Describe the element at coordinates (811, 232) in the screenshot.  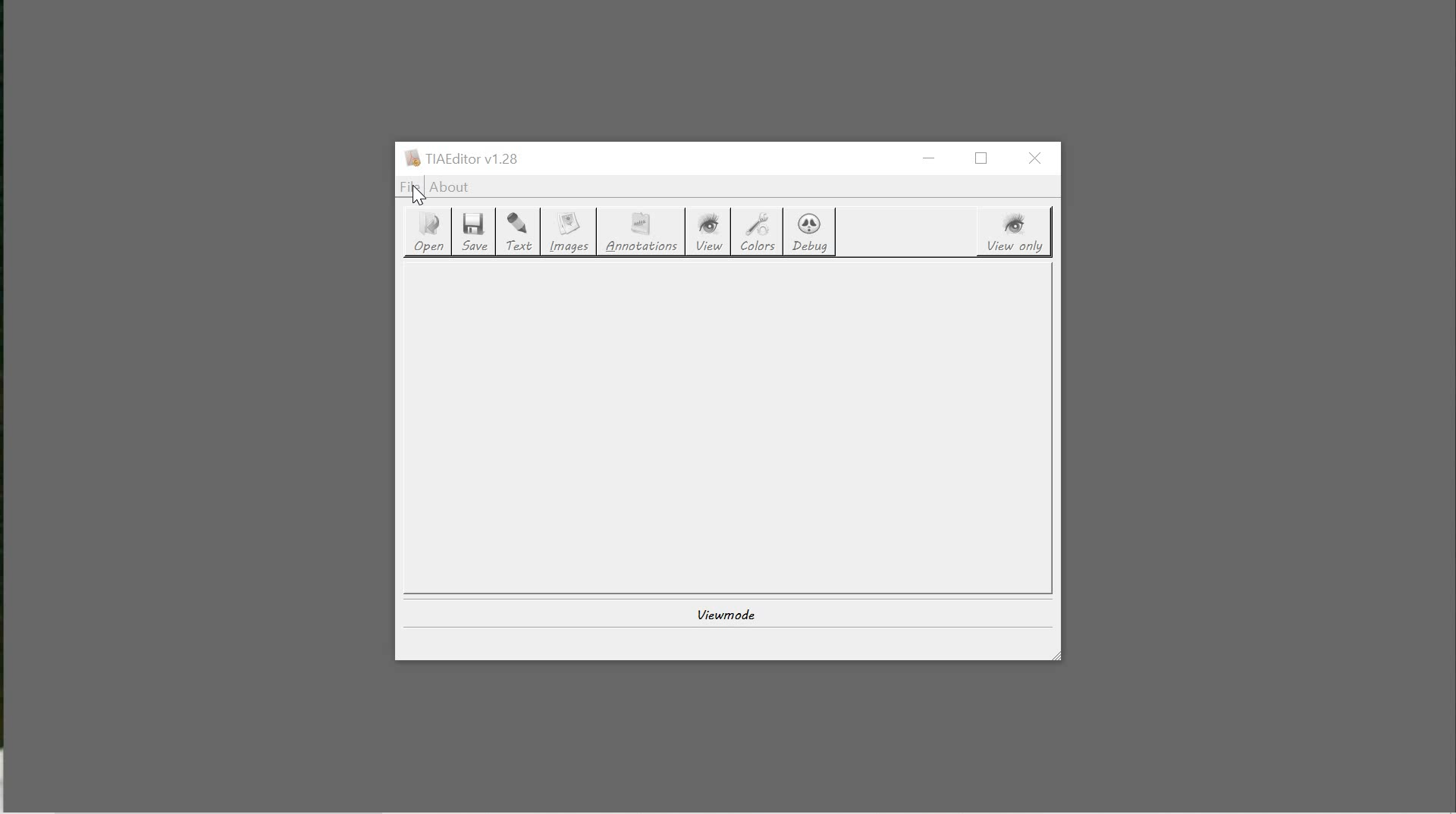
I see `debug` at that location.